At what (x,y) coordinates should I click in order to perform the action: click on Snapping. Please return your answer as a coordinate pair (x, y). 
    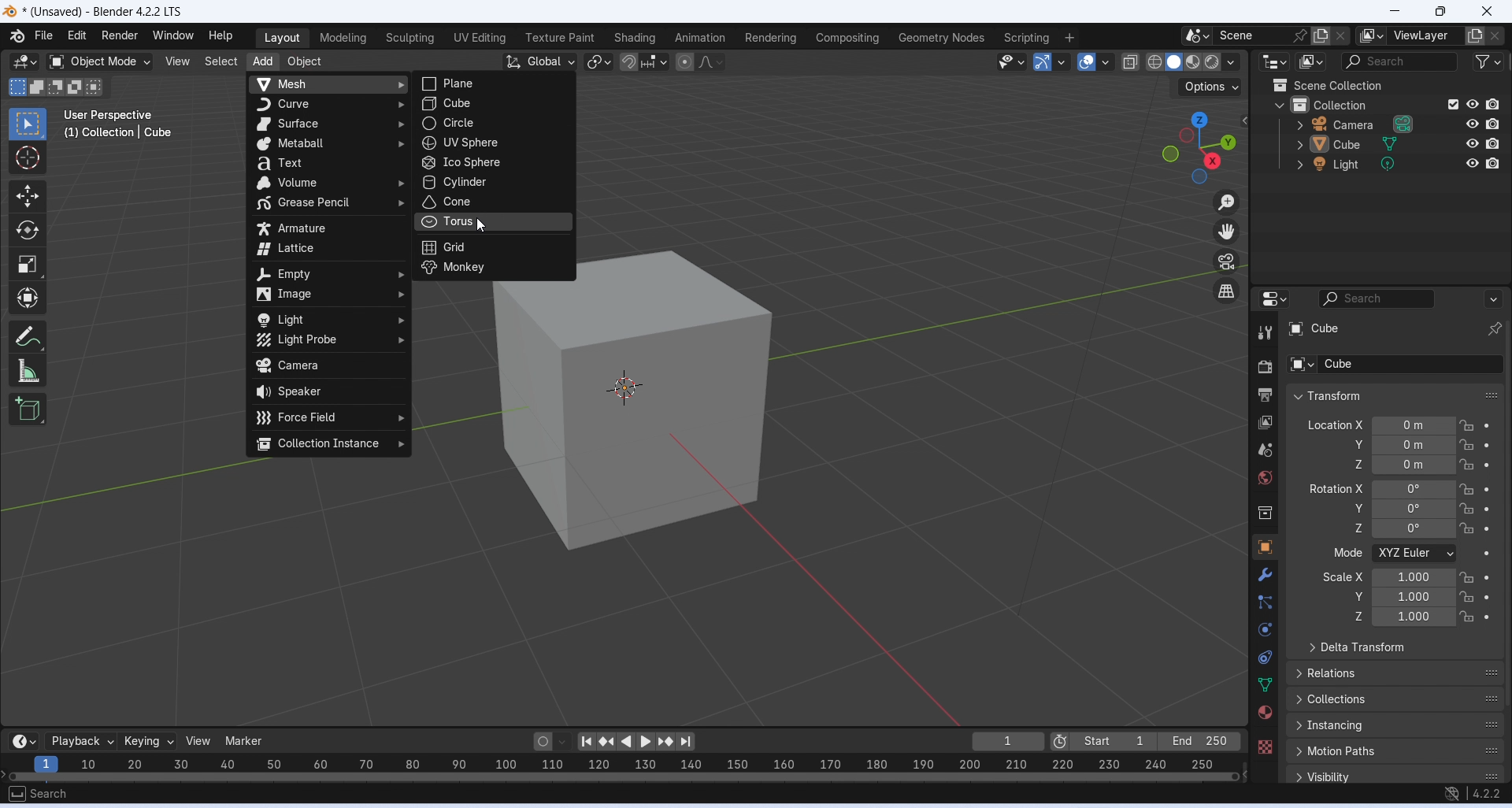
    Looking at the image, I should click on (654, 58).